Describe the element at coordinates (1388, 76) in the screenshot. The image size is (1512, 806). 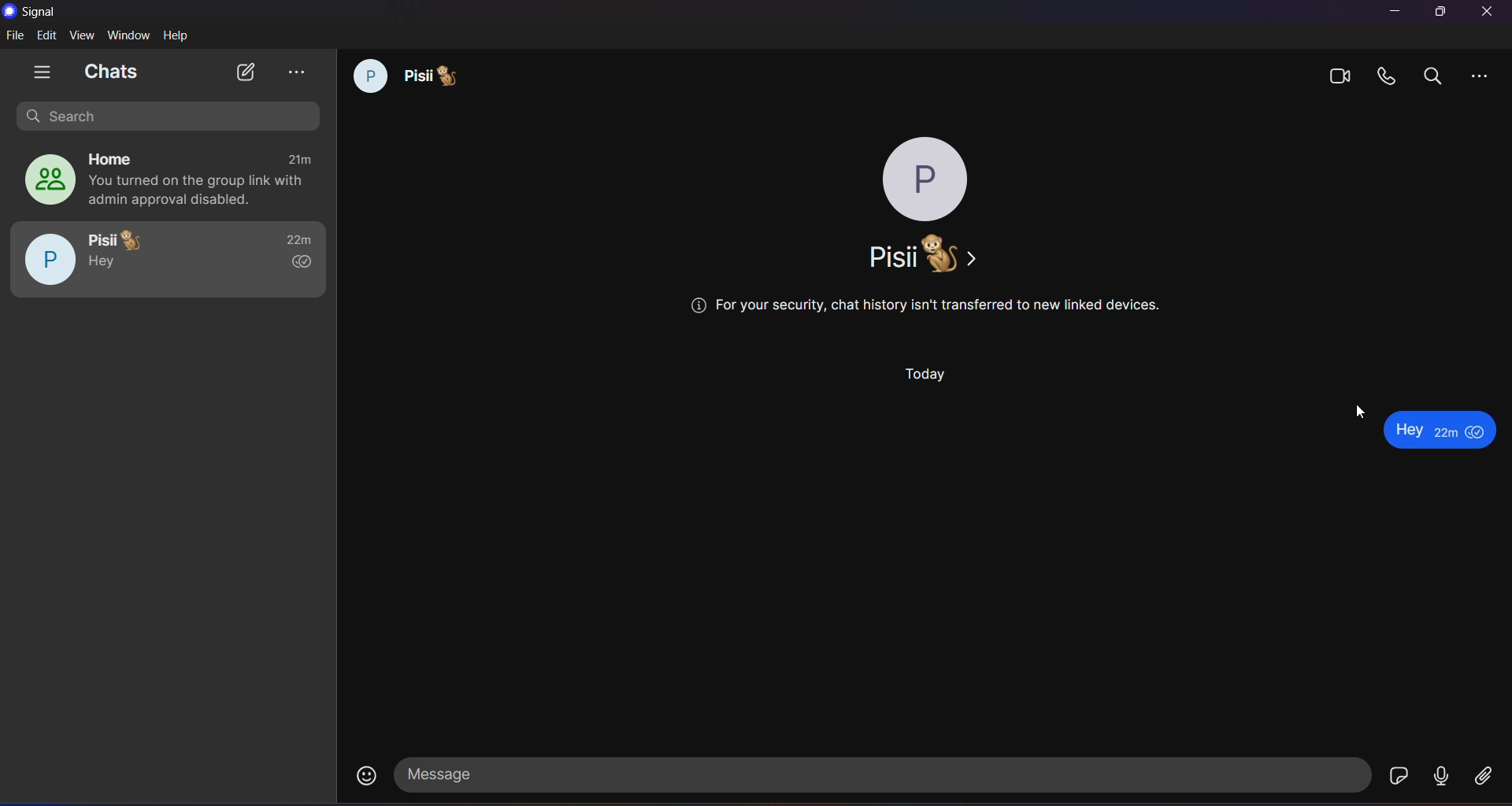
I see `calls` at that location.